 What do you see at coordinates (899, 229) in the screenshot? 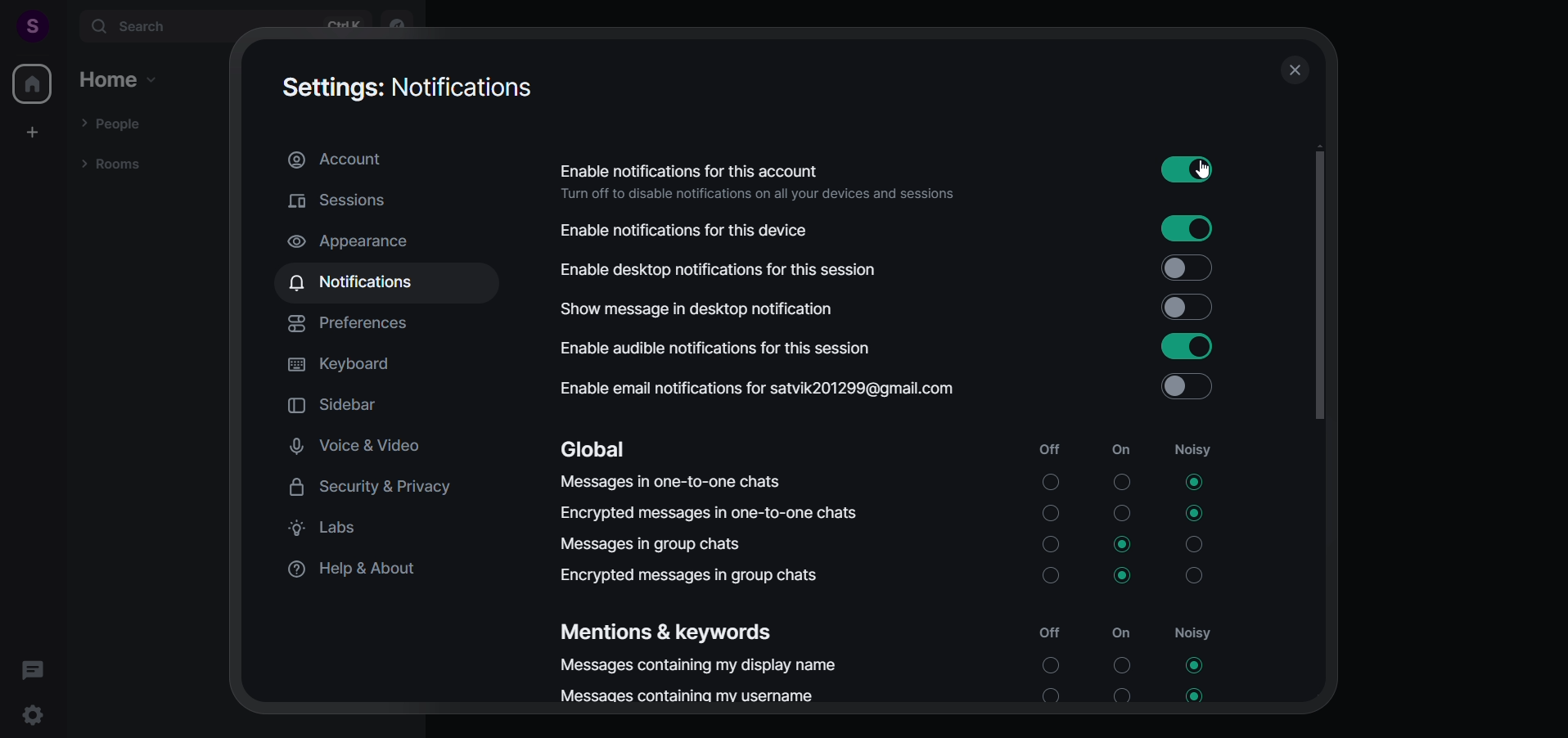
I see `enable notification for this device` at bounding box center [899, 229].